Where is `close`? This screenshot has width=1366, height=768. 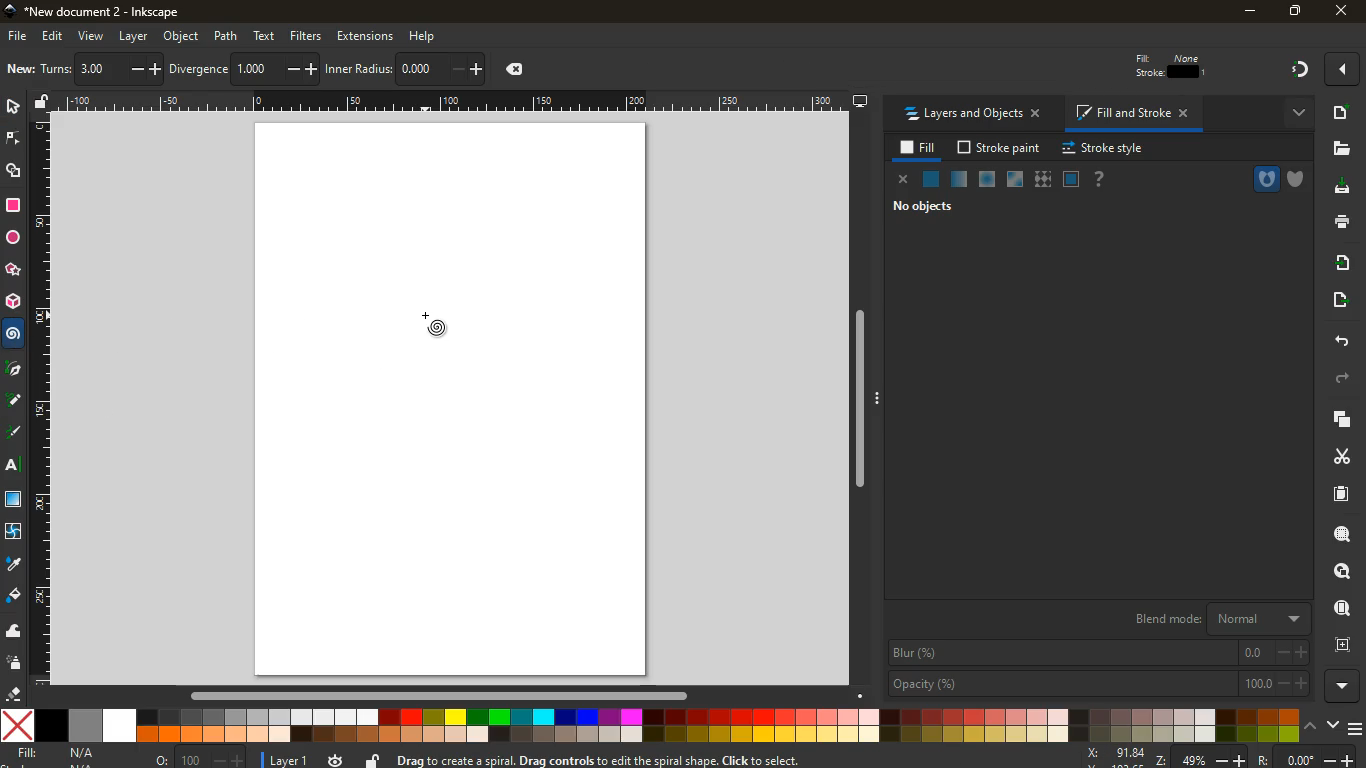
close is located at coordinates (1342, 10).